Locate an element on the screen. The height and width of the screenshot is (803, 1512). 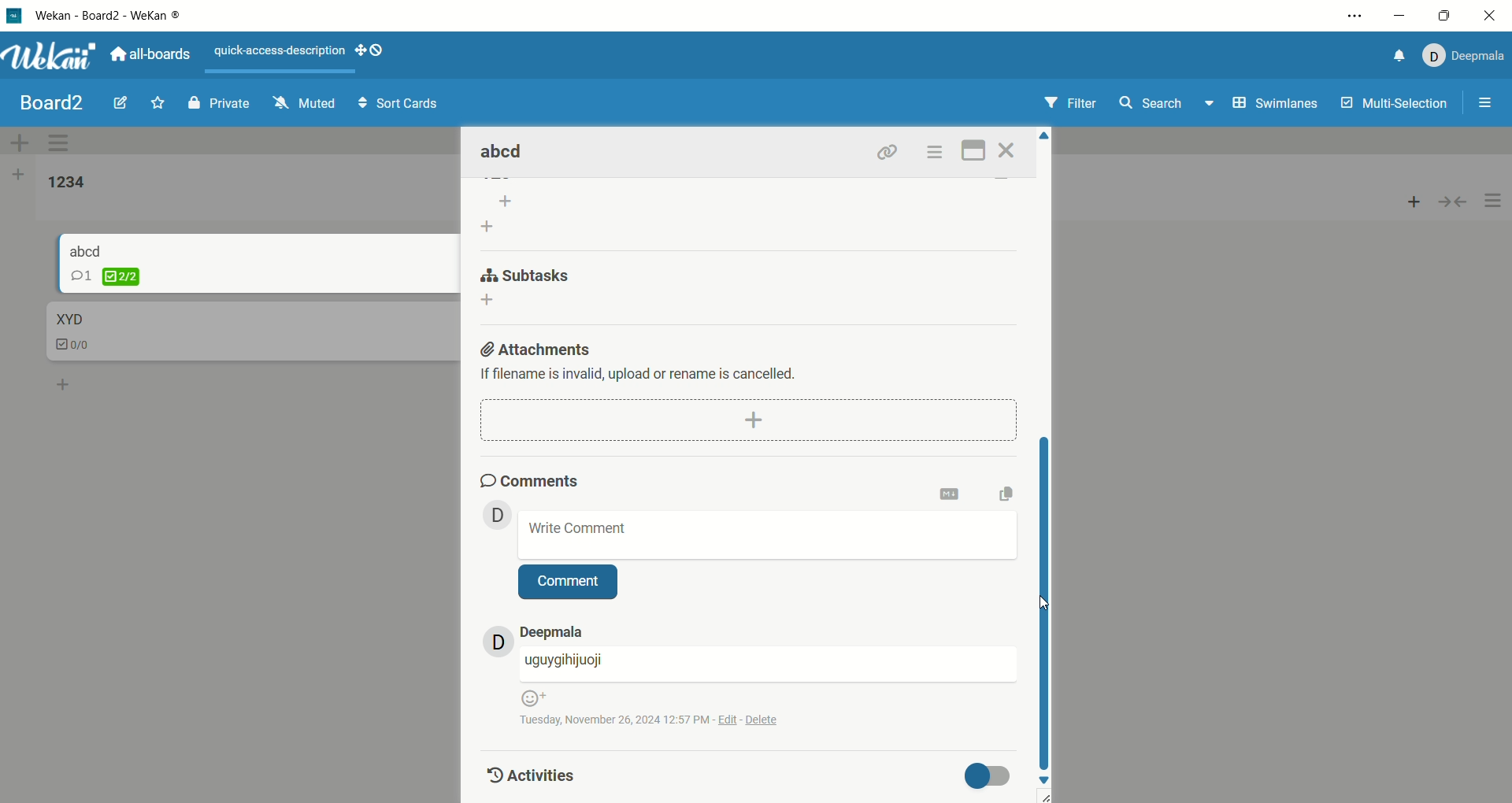
list title is located at coordinates (67, 183).